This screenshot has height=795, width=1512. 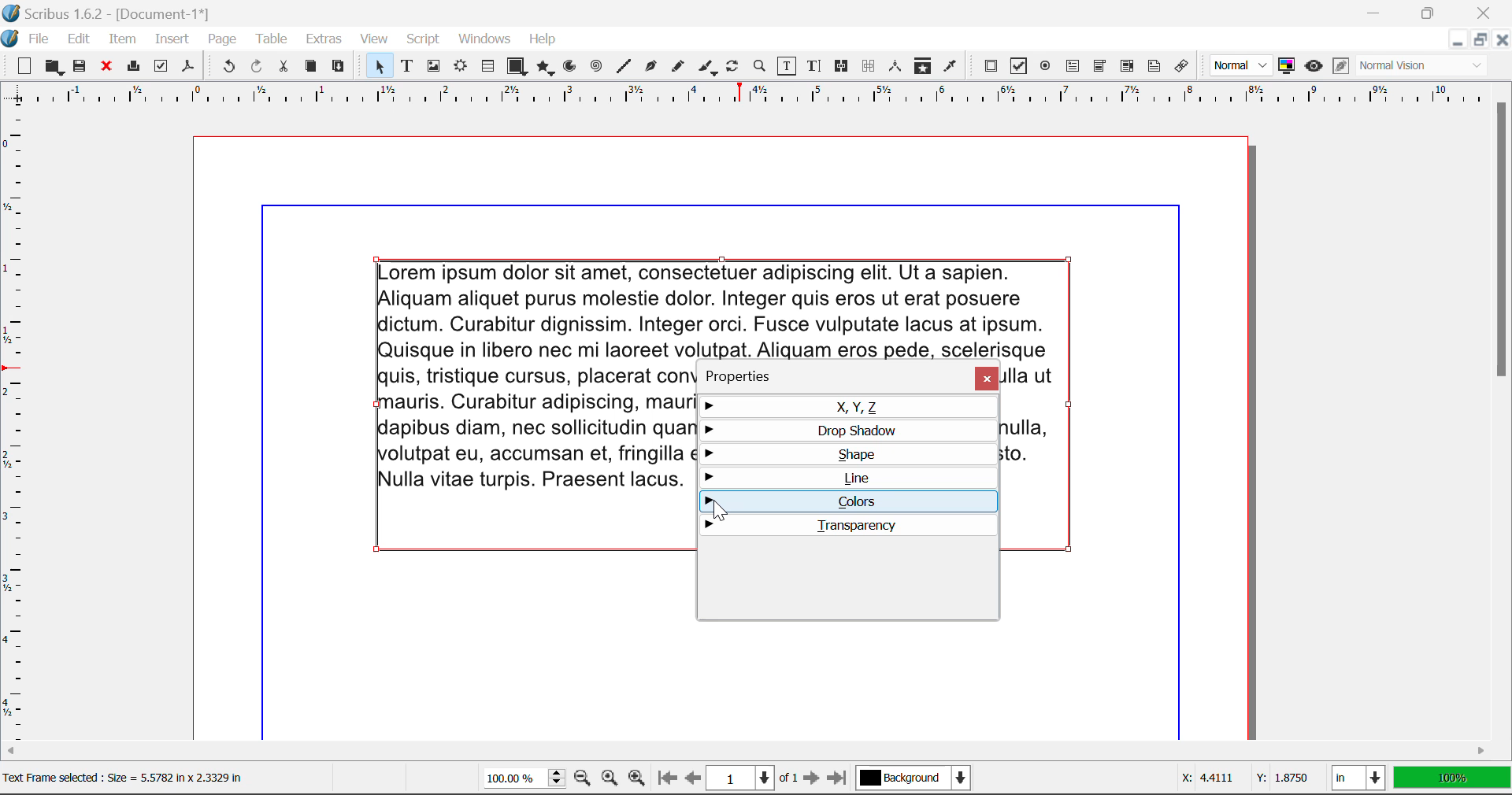 What do you see at coordinates (25, 68) in the screenshot?
I see `New` at bounding box center [25, 68].